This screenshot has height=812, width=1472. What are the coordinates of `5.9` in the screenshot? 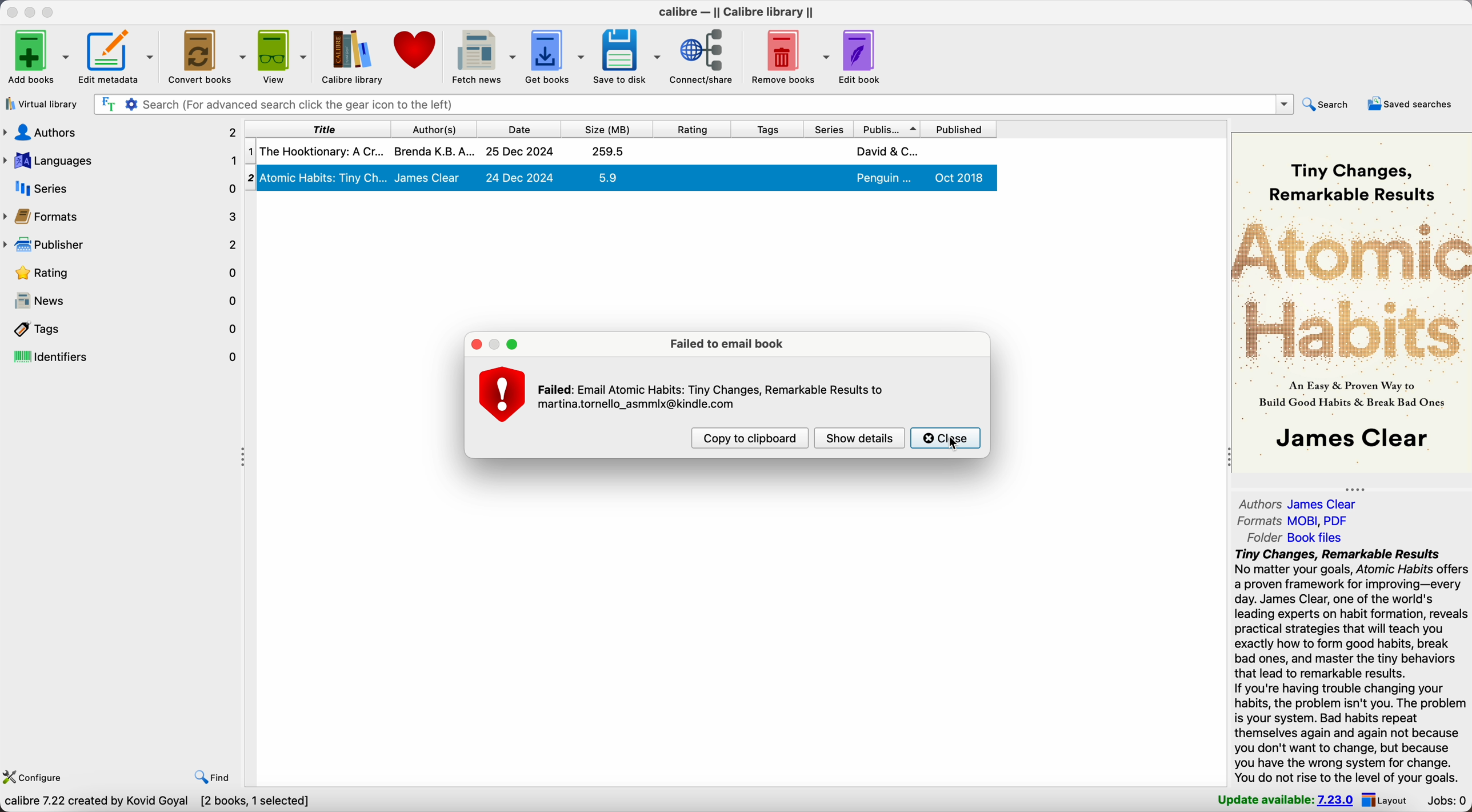 It's located at (607, 177).